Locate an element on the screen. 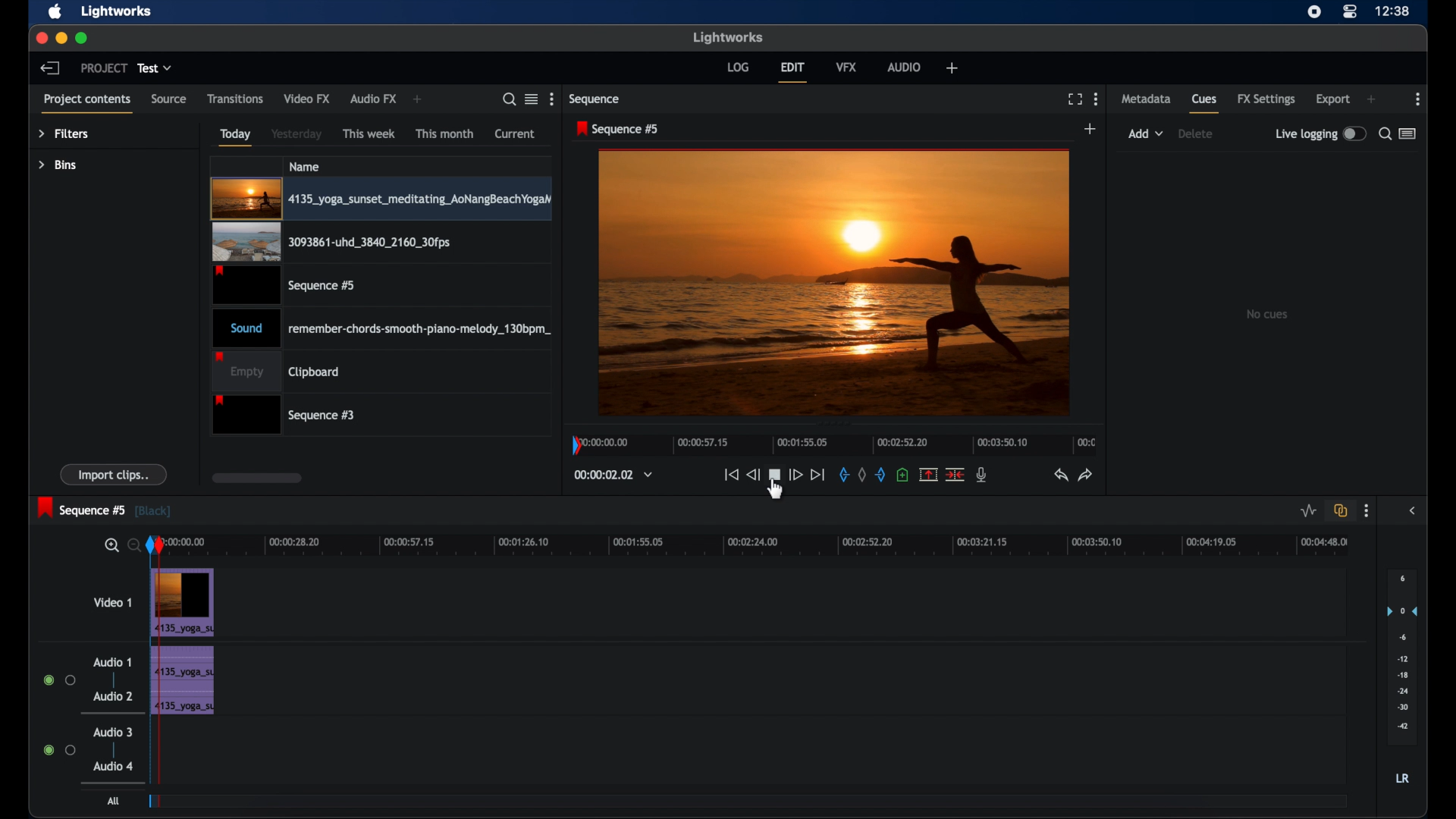 The width and height of the screenshot is (1456, 819). fast forward is located at coordinates (795, 475).